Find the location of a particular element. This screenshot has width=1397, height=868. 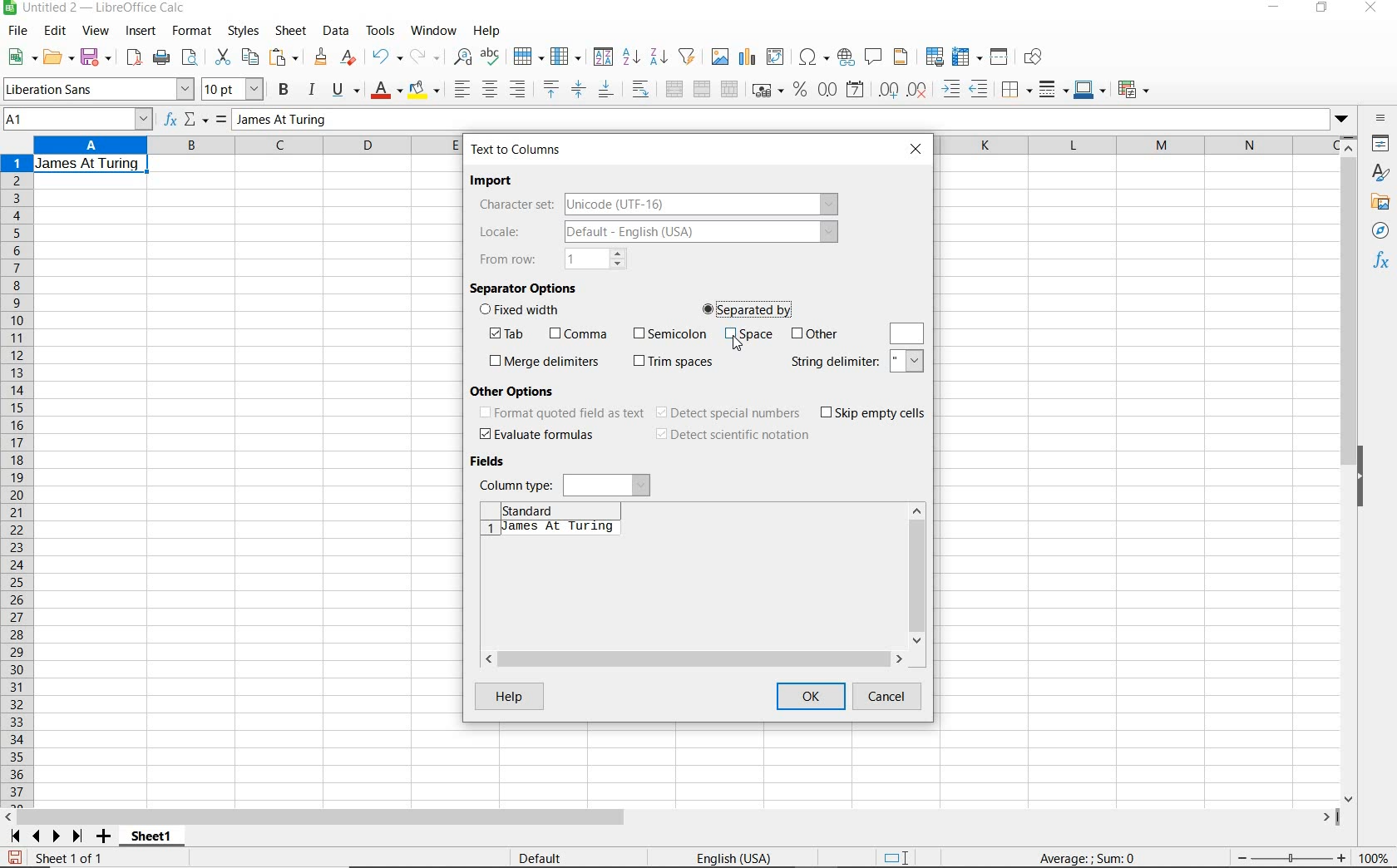

insert hyperlink is located at coordinates (847, 59).